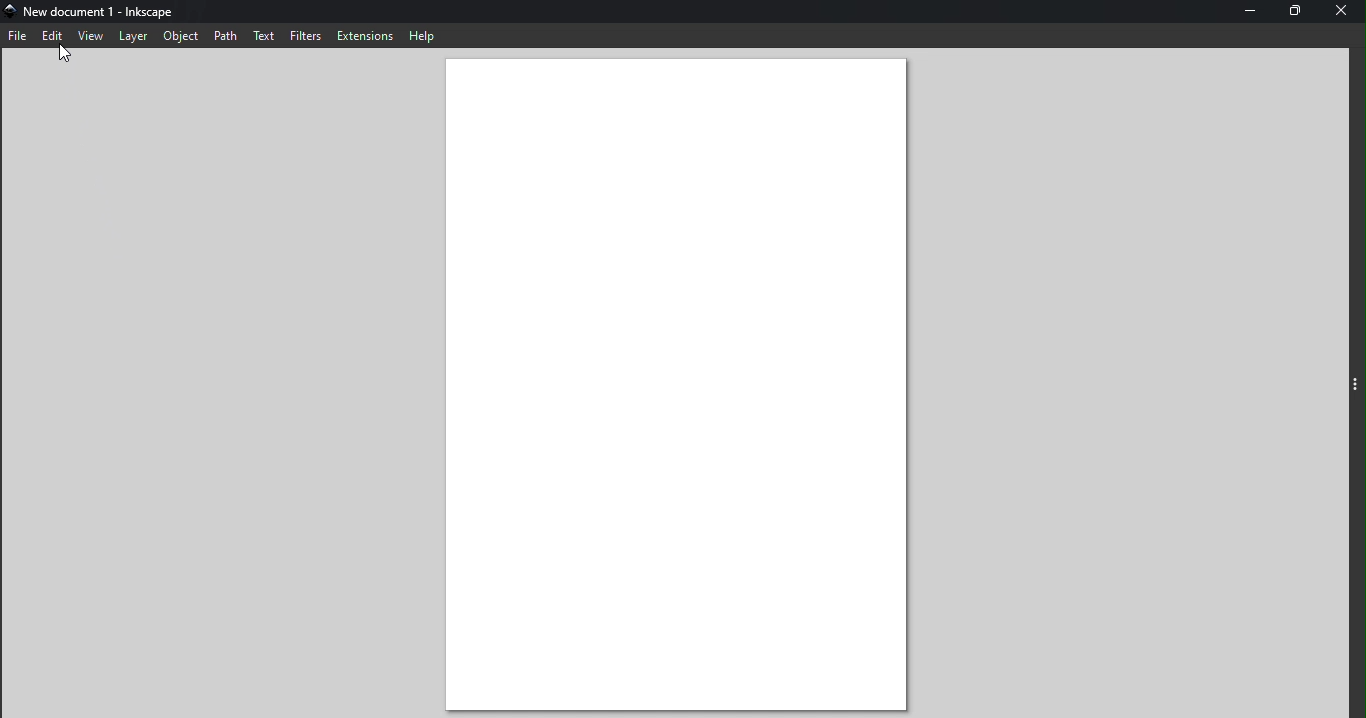  I want to click on Text, so click(265, 33).